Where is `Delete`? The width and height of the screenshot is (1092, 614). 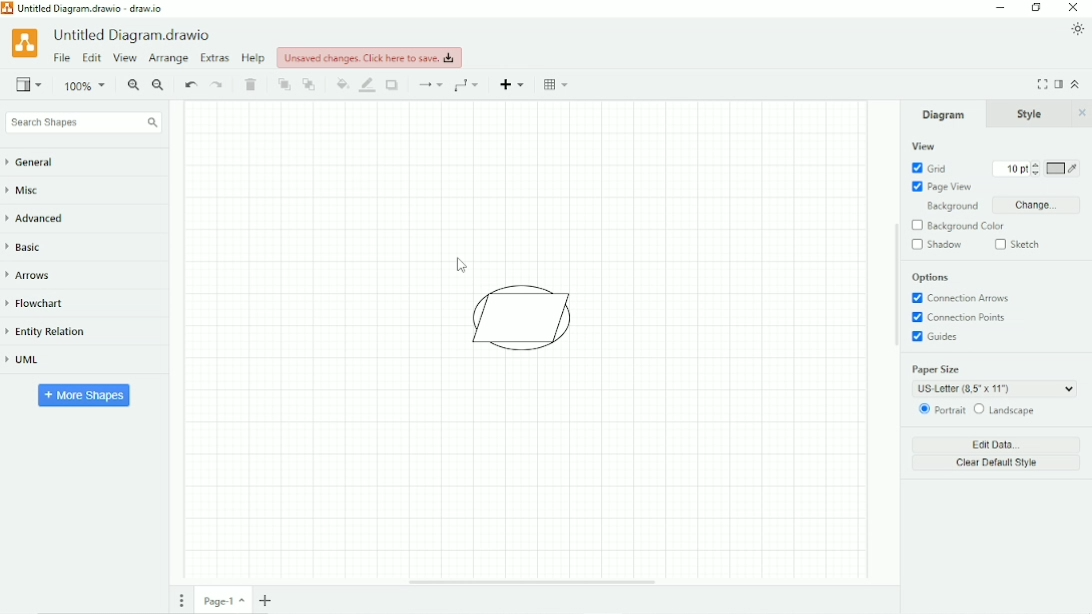
Delete is located at coordinates (253, 85).